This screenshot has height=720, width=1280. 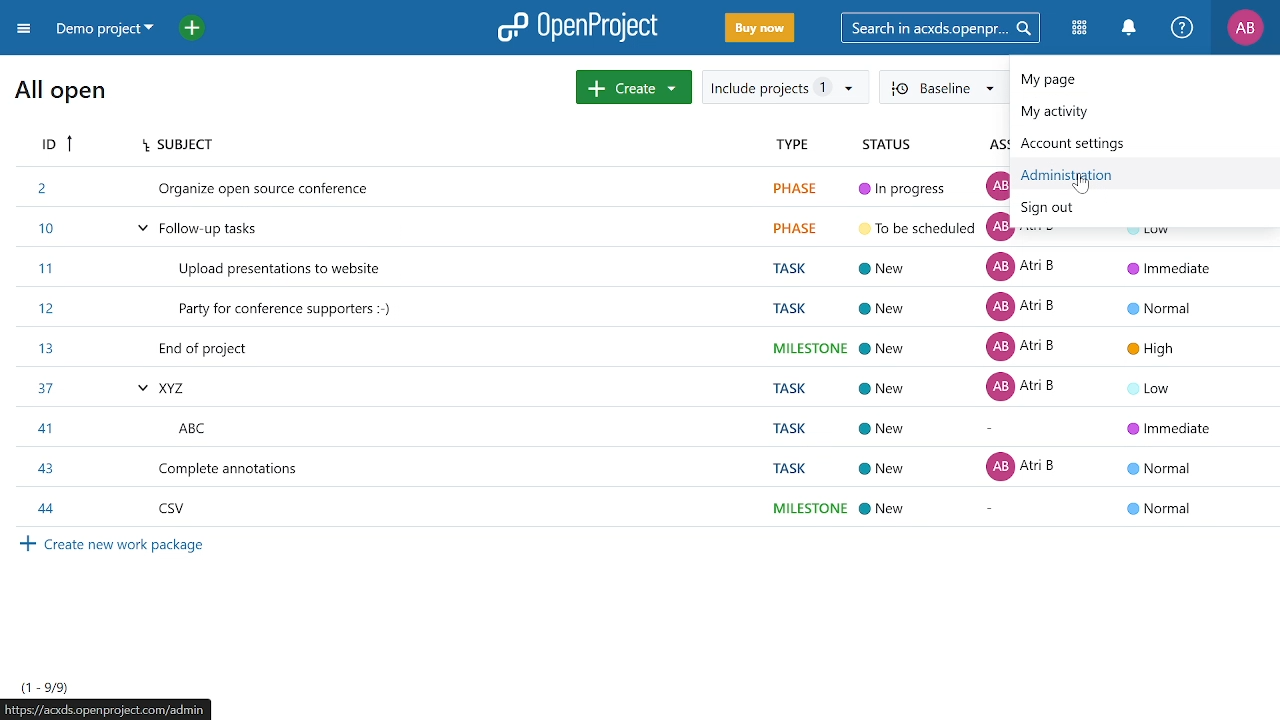 I want to click on My activity, so click(x=1095, y=114).